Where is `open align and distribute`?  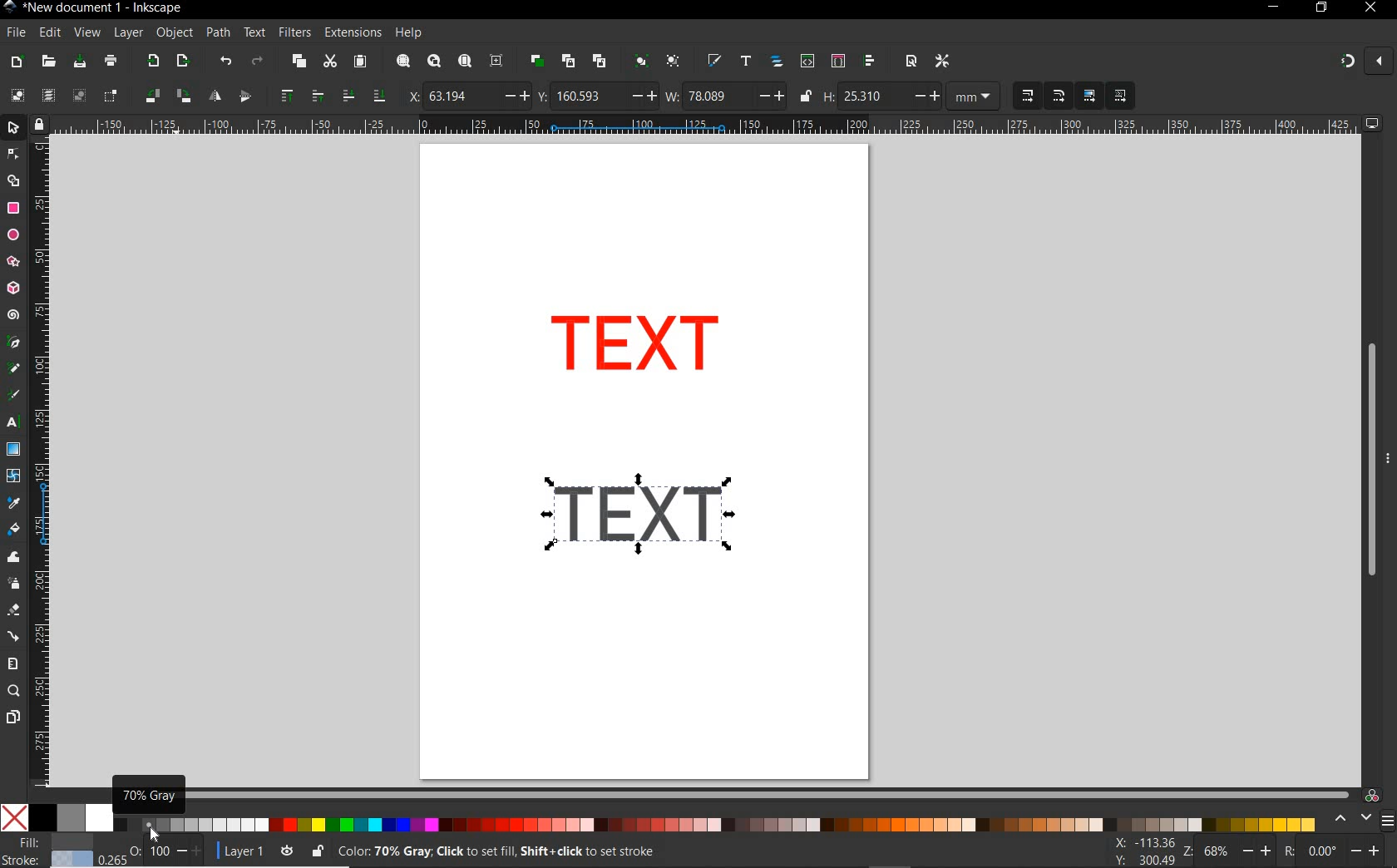 open align and distribute is located at coordinates (871, 62).